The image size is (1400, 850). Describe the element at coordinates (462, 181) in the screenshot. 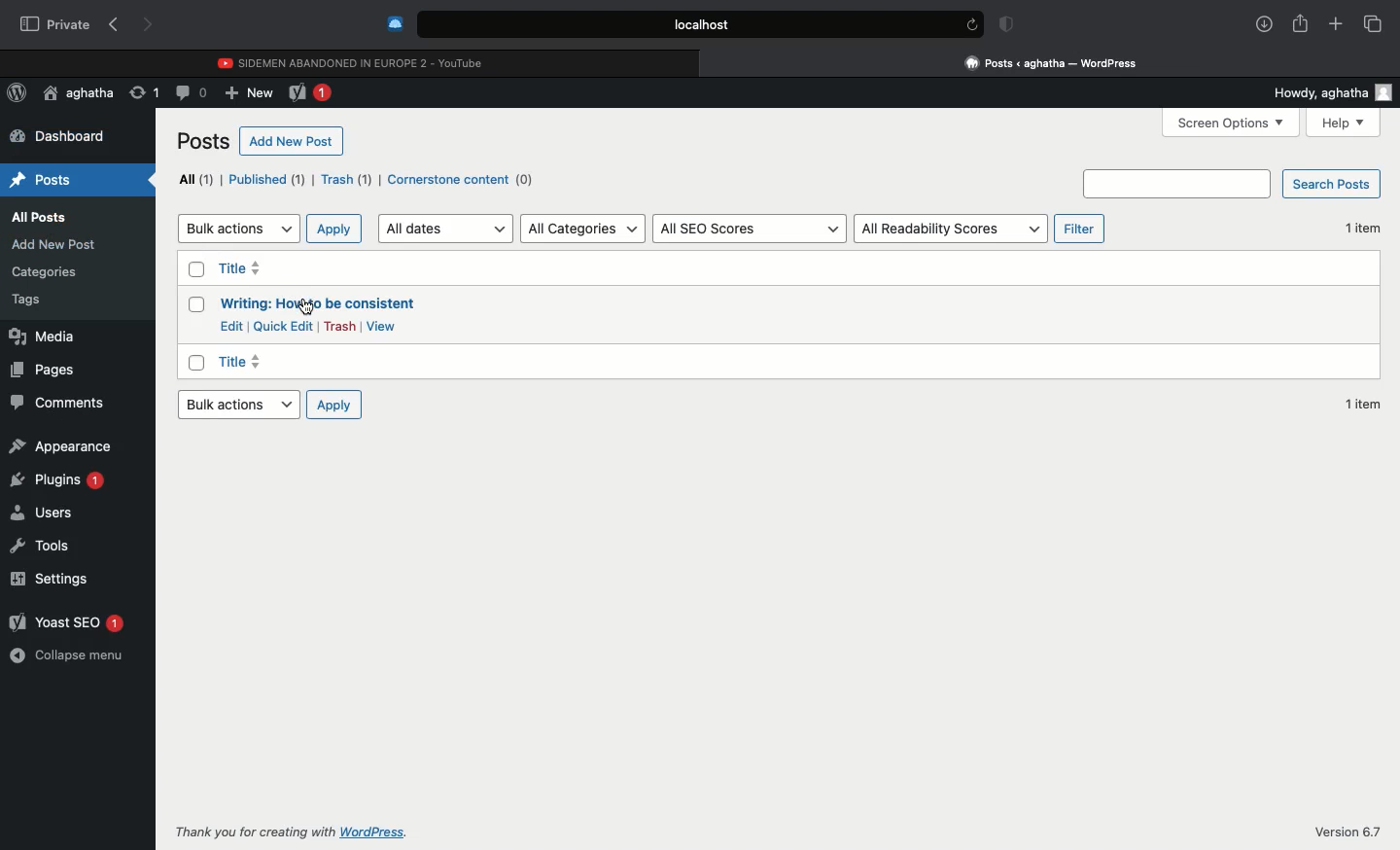

I see `Cornerstone content` at that location.